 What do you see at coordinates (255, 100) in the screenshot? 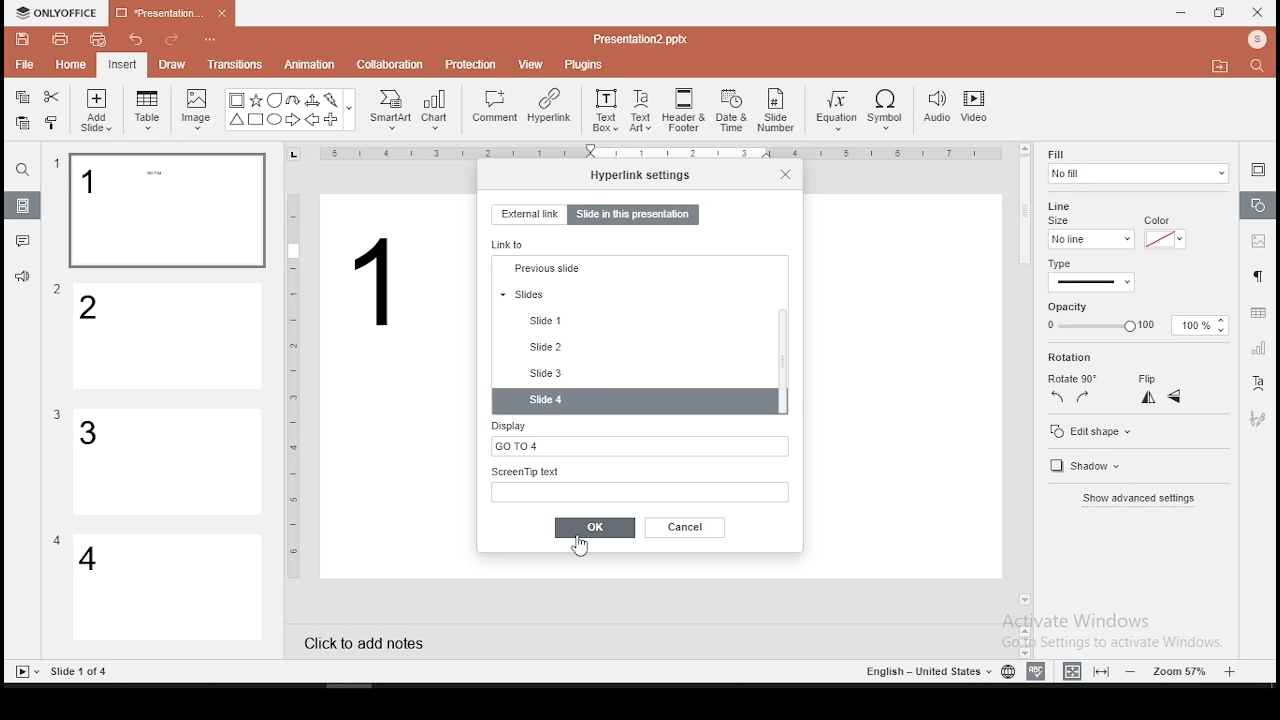
I see `Star` at bounding box center [255, 100].